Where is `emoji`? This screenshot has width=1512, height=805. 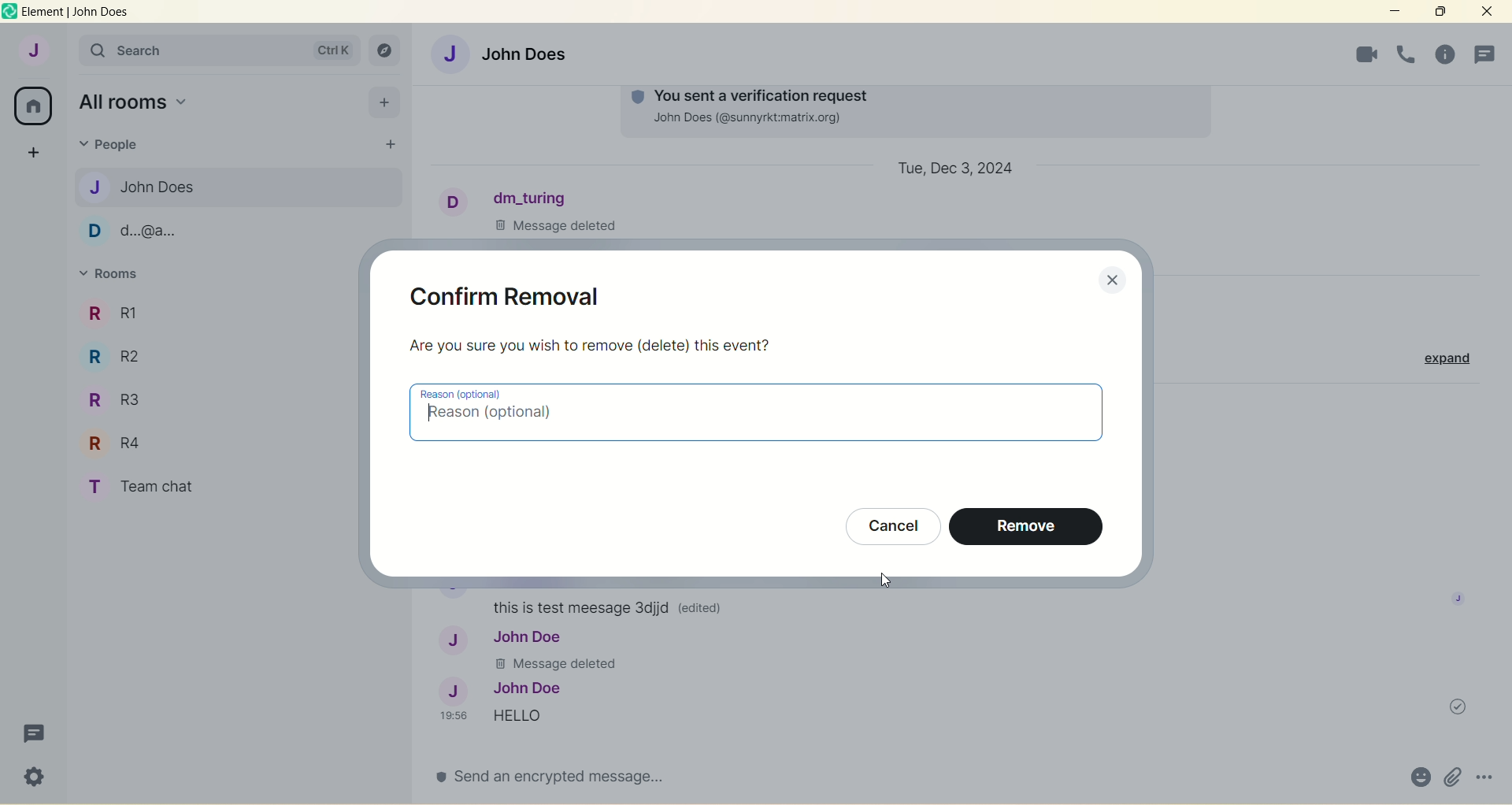
emoji is located at coordinates (1415, 777).